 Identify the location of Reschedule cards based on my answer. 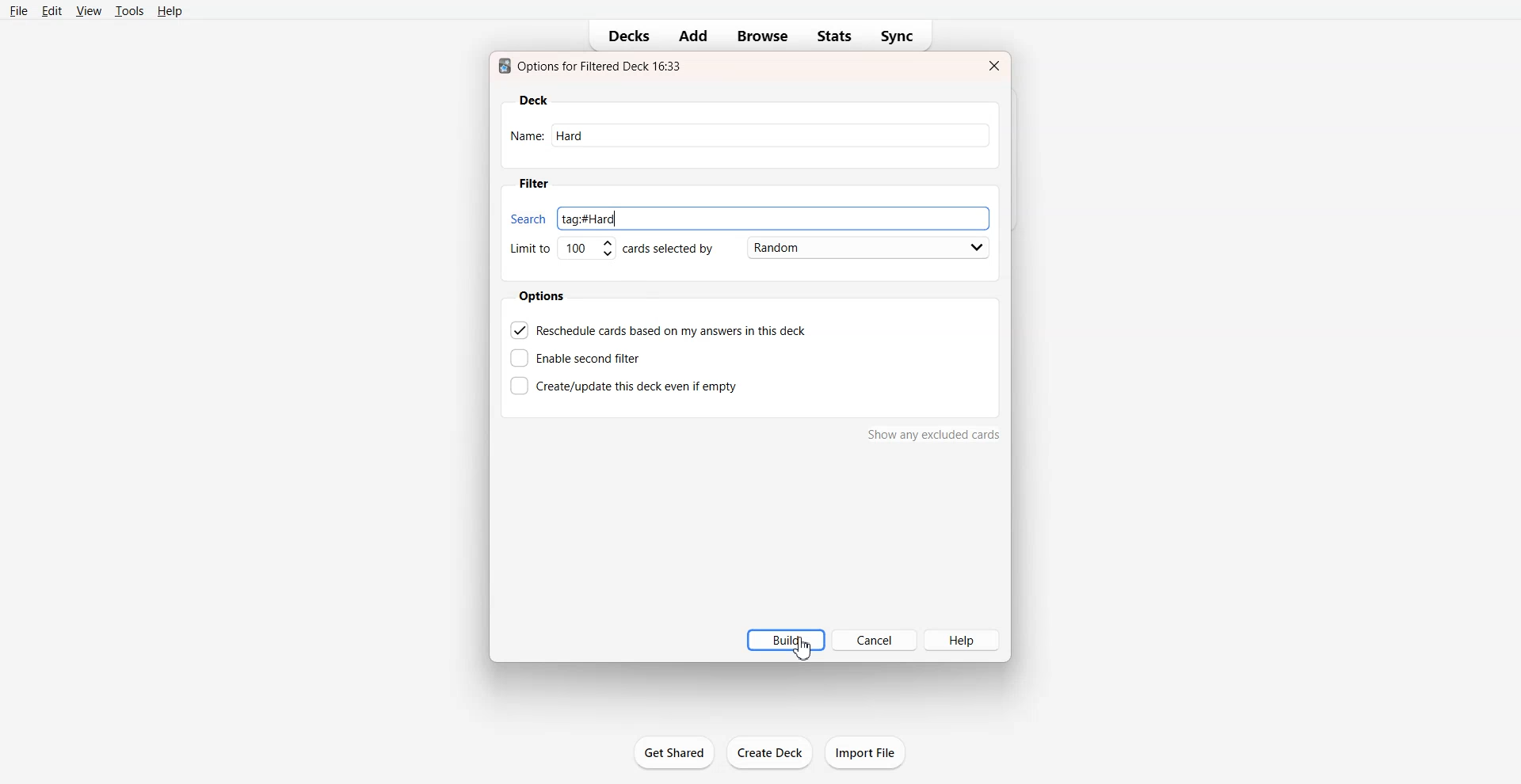
(660, 329).